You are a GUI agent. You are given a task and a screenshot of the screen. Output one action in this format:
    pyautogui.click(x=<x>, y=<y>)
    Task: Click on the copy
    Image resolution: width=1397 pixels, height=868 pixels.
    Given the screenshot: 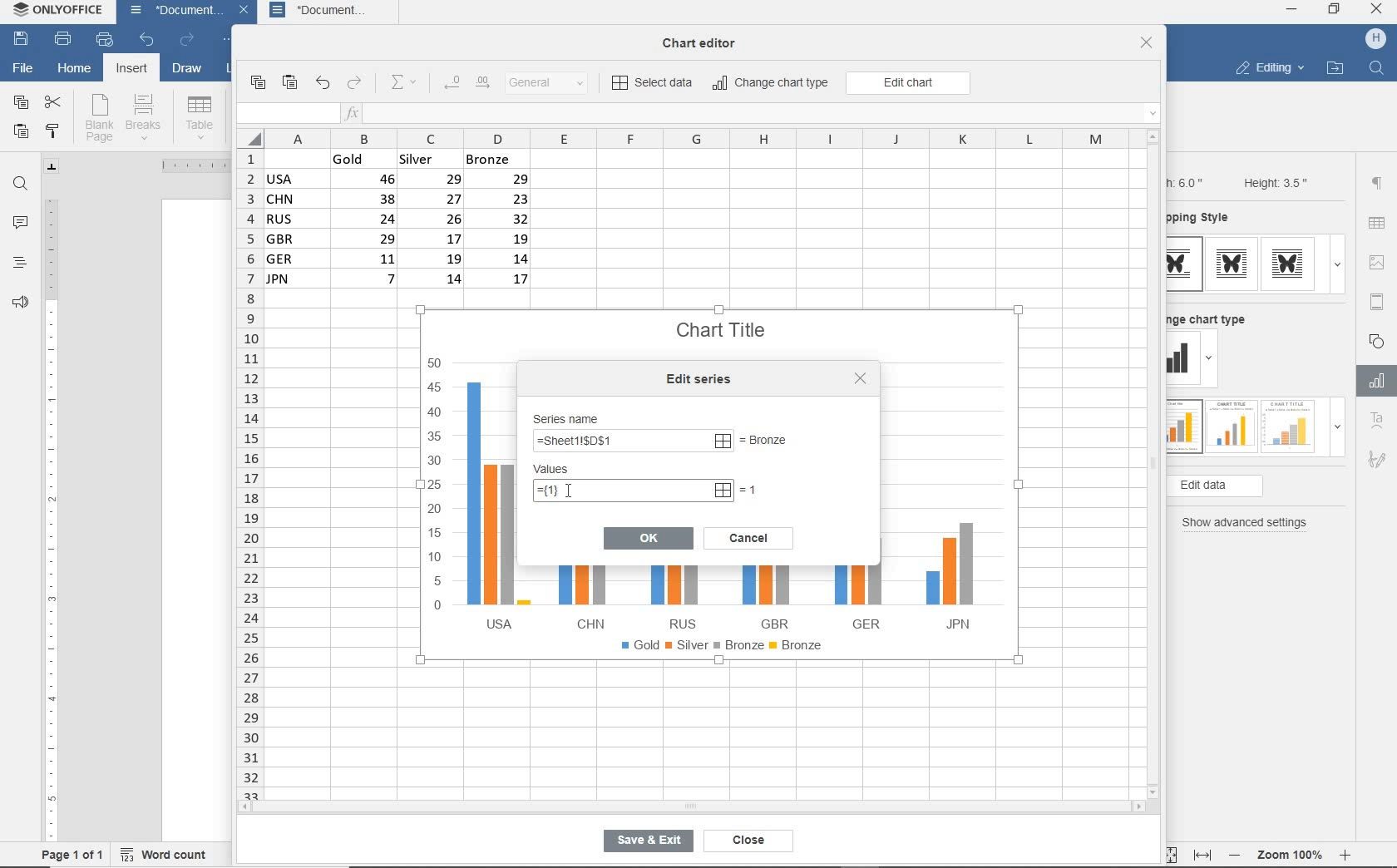 What is the action you would take?
    pyautogui.click(x=20, y=103)
    